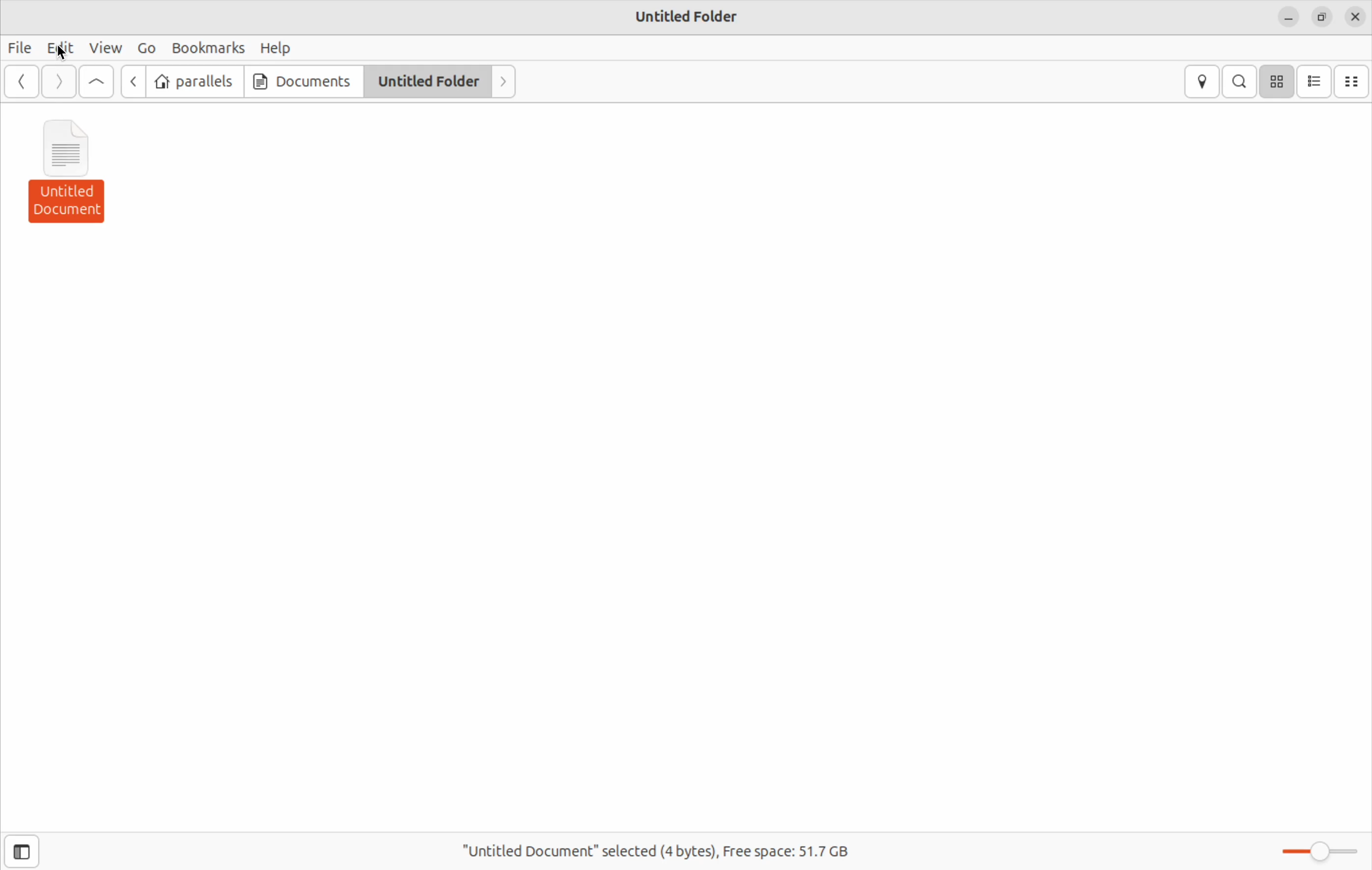 This screenshot has height=870, width=1372. What do you see at coordinates (144, 47) in the screenshot?
I see `Go` at bounding box center [144, 47].